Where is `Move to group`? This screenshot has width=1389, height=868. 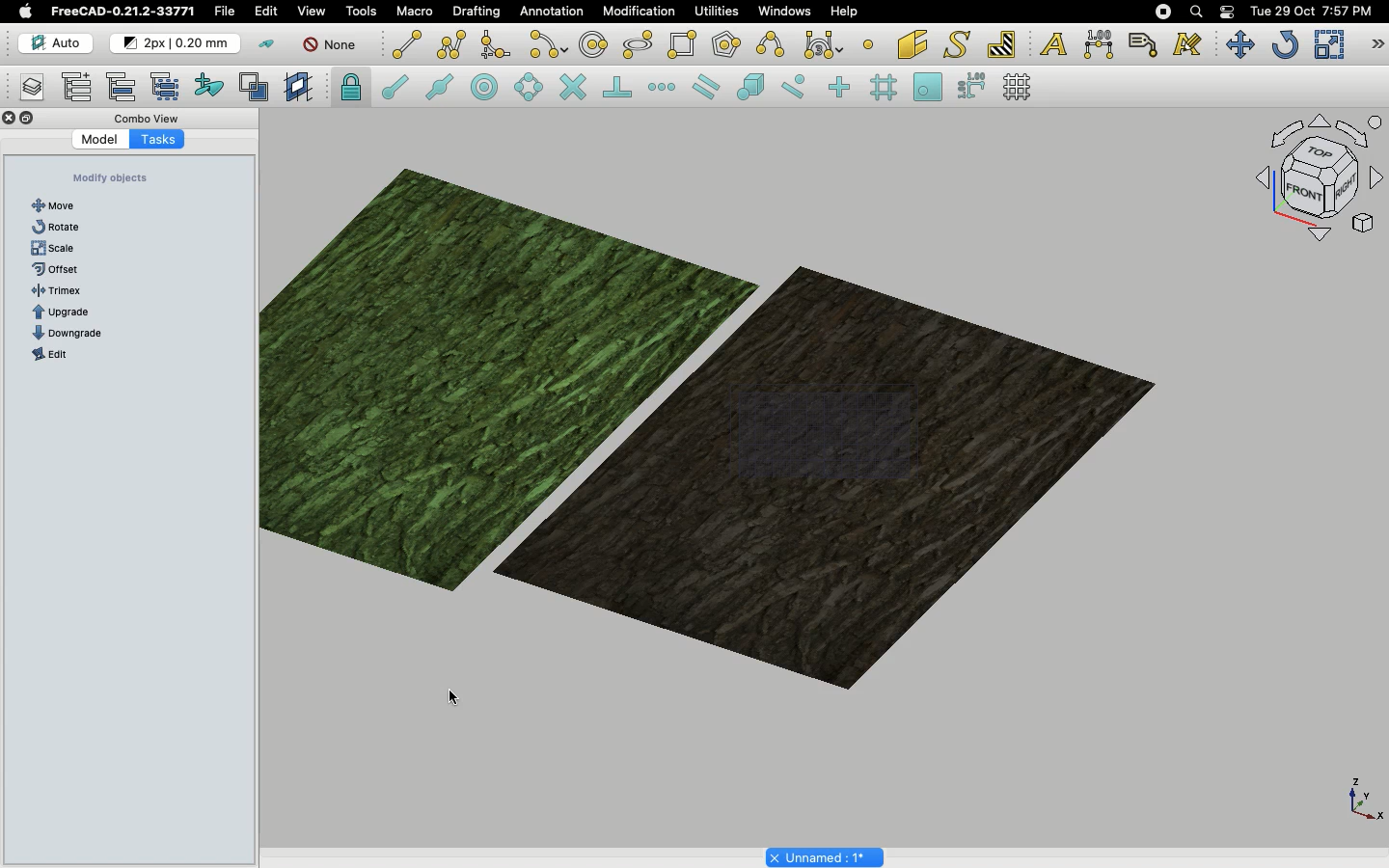
Move to group is located at coordinates (124, 87).